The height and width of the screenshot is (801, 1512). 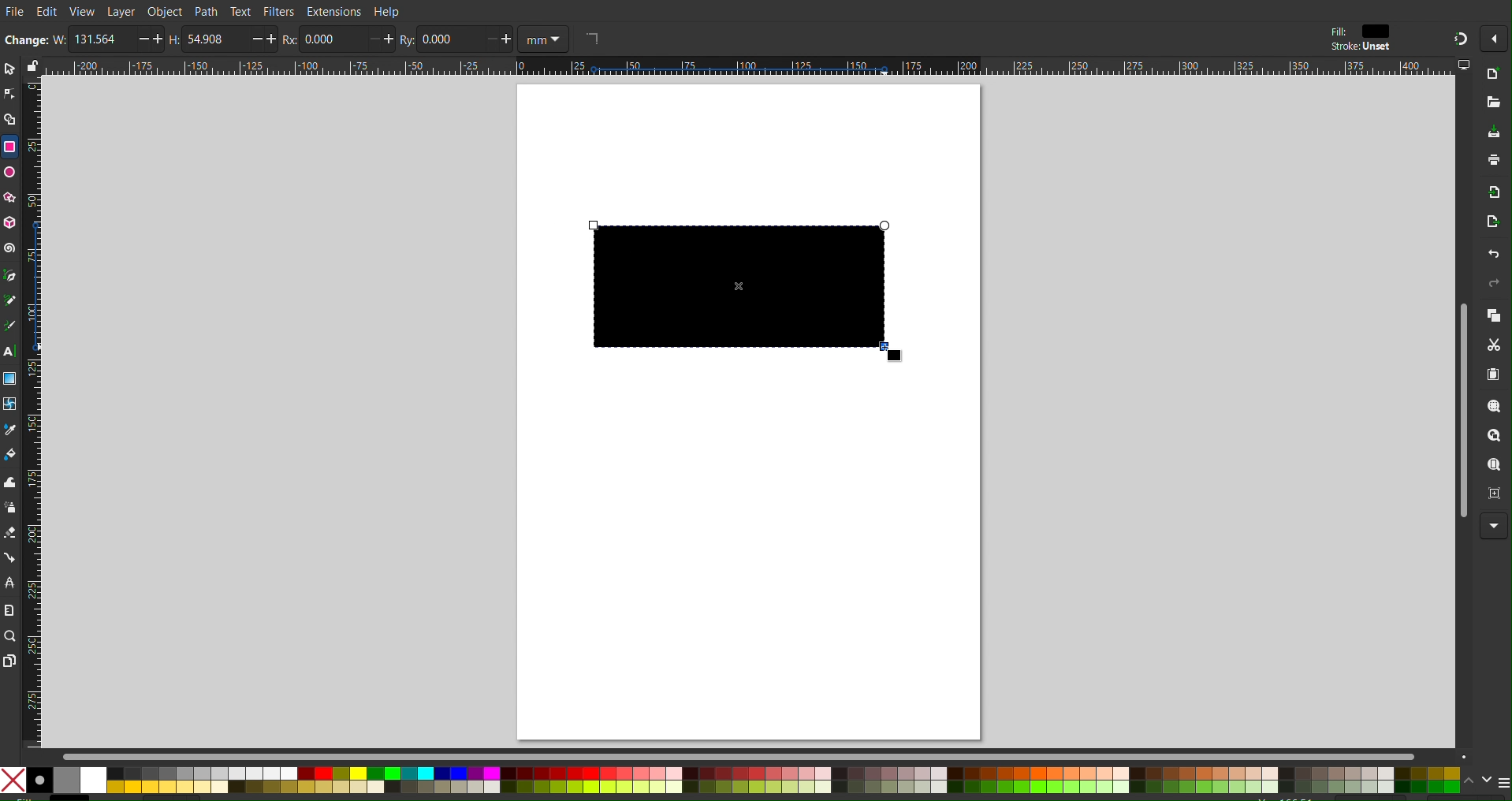 I want to click on w, so click(x=58, y=39).